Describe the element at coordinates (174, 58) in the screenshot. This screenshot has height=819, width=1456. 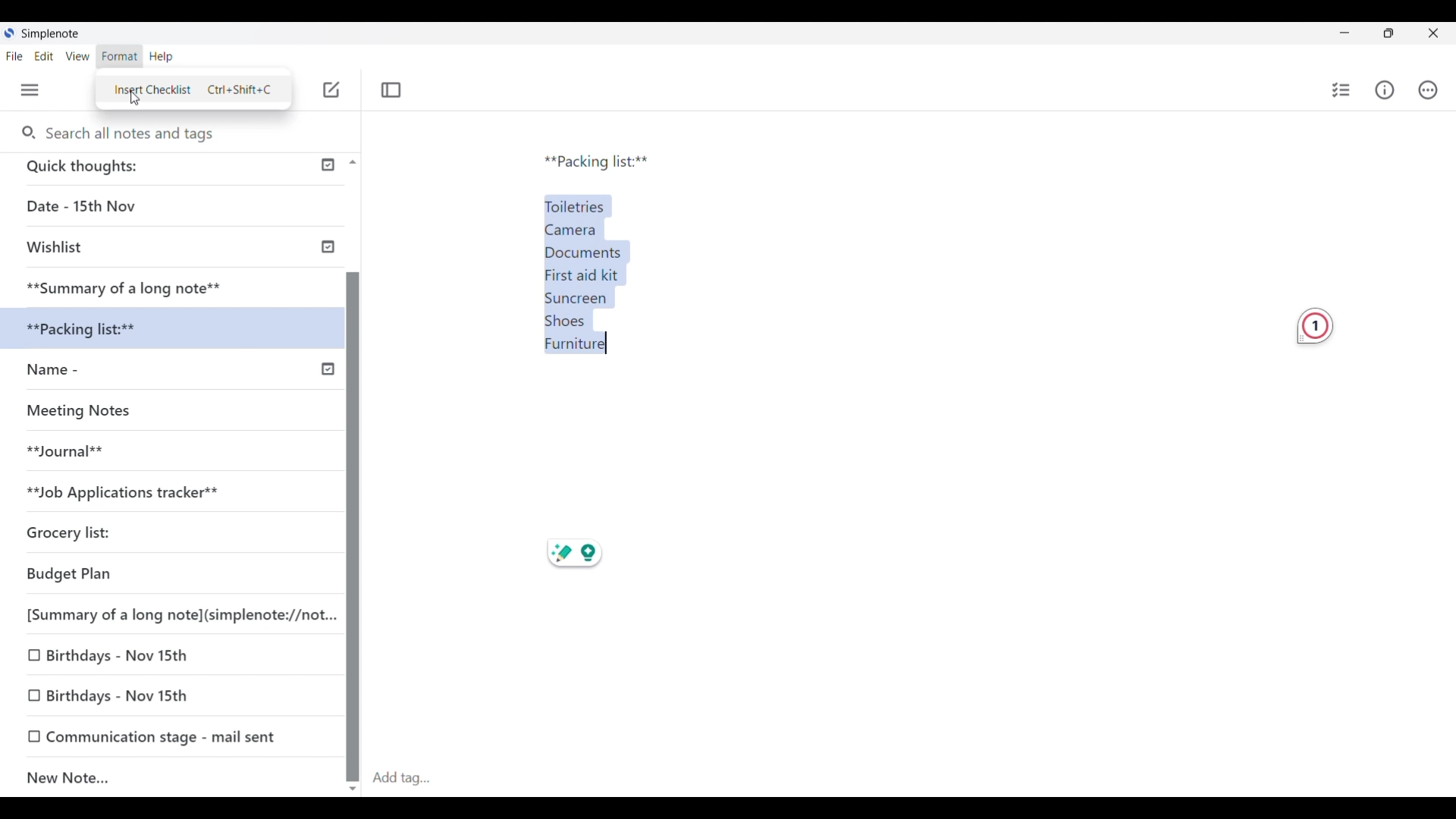
I see `Help` at that location.